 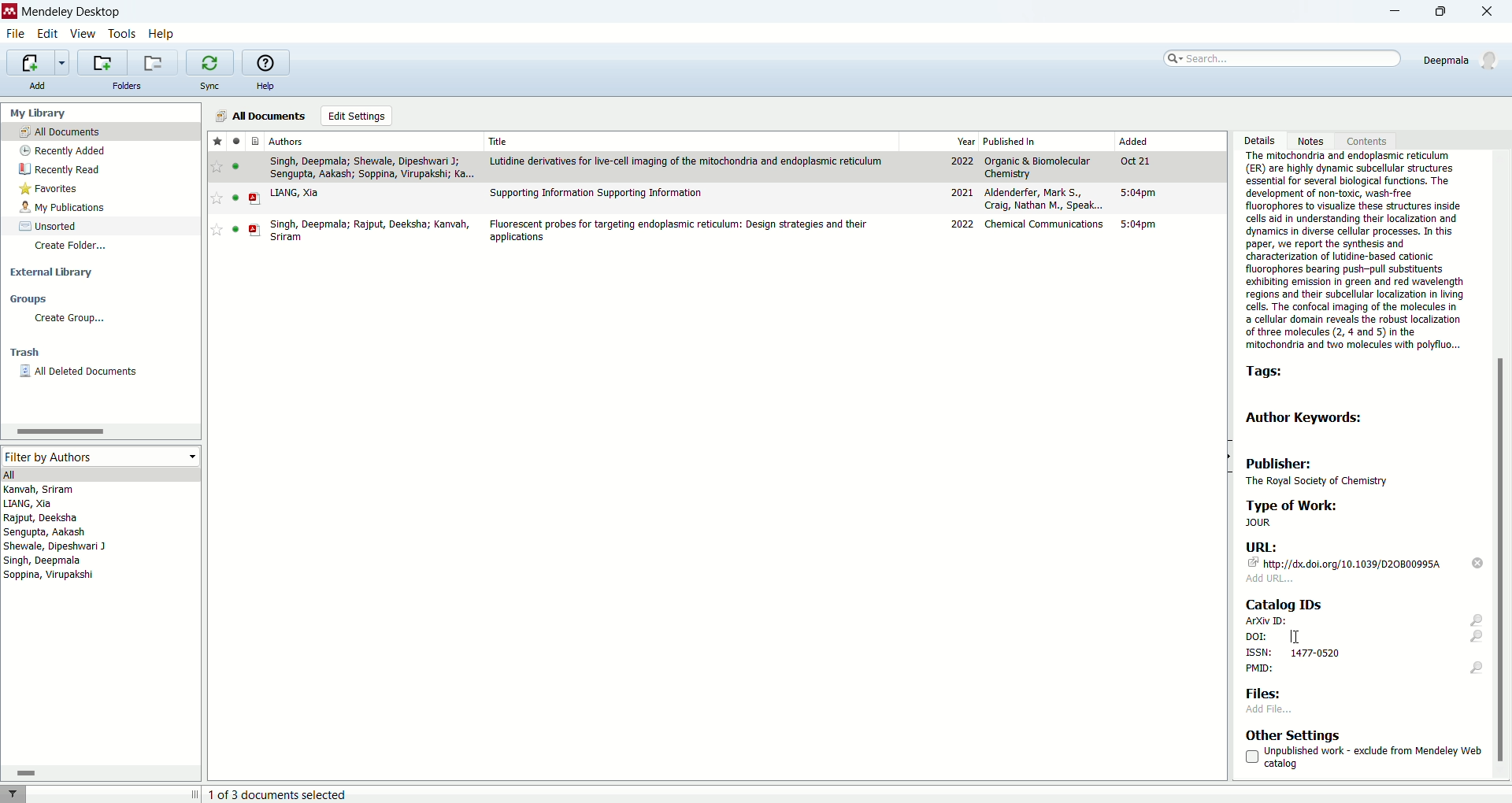 What do you see at coordinates (28, 298) in the screenshot?
I see `groups` at bounding box center [28, 298].